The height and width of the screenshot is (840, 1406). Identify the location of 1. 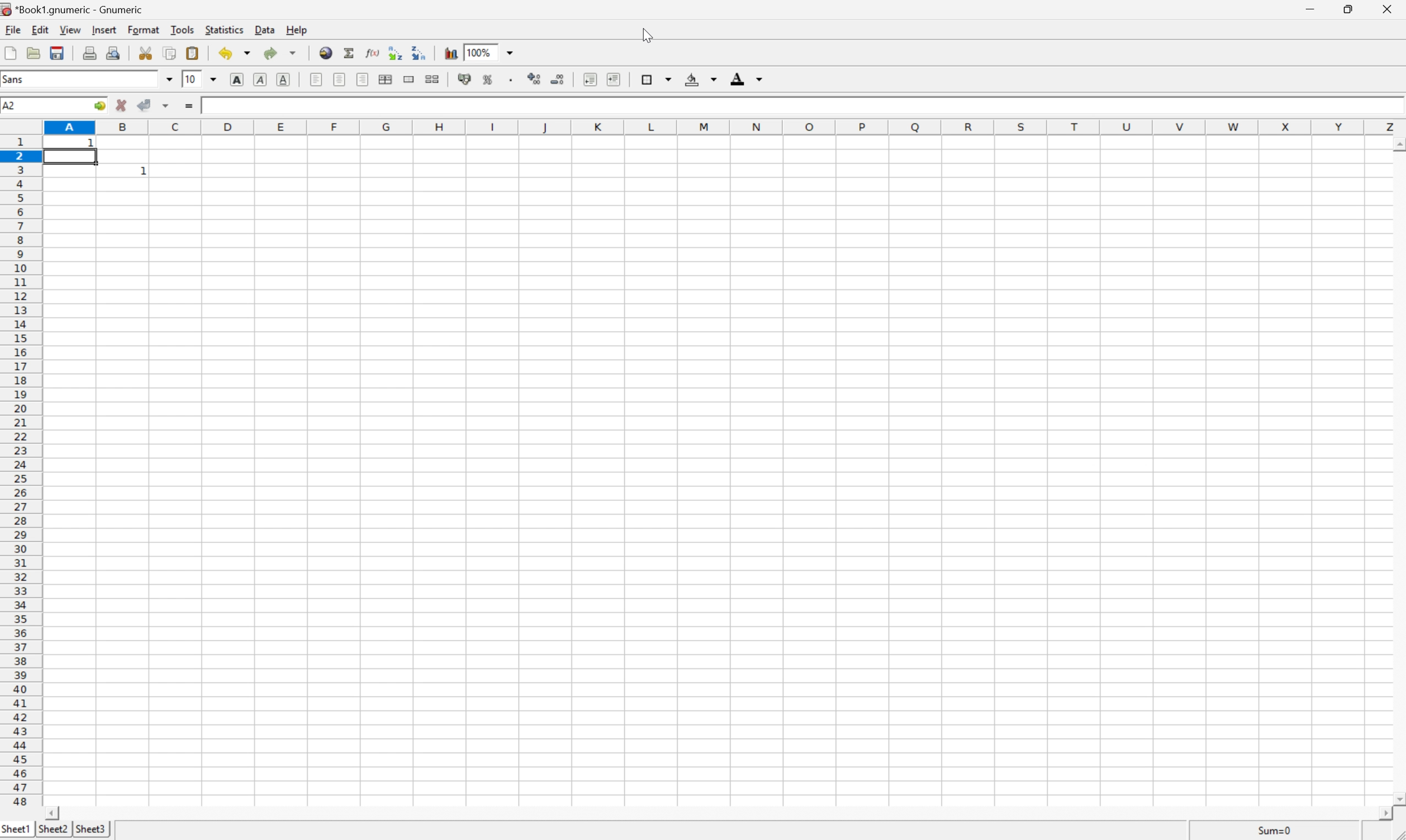
(144, 172).